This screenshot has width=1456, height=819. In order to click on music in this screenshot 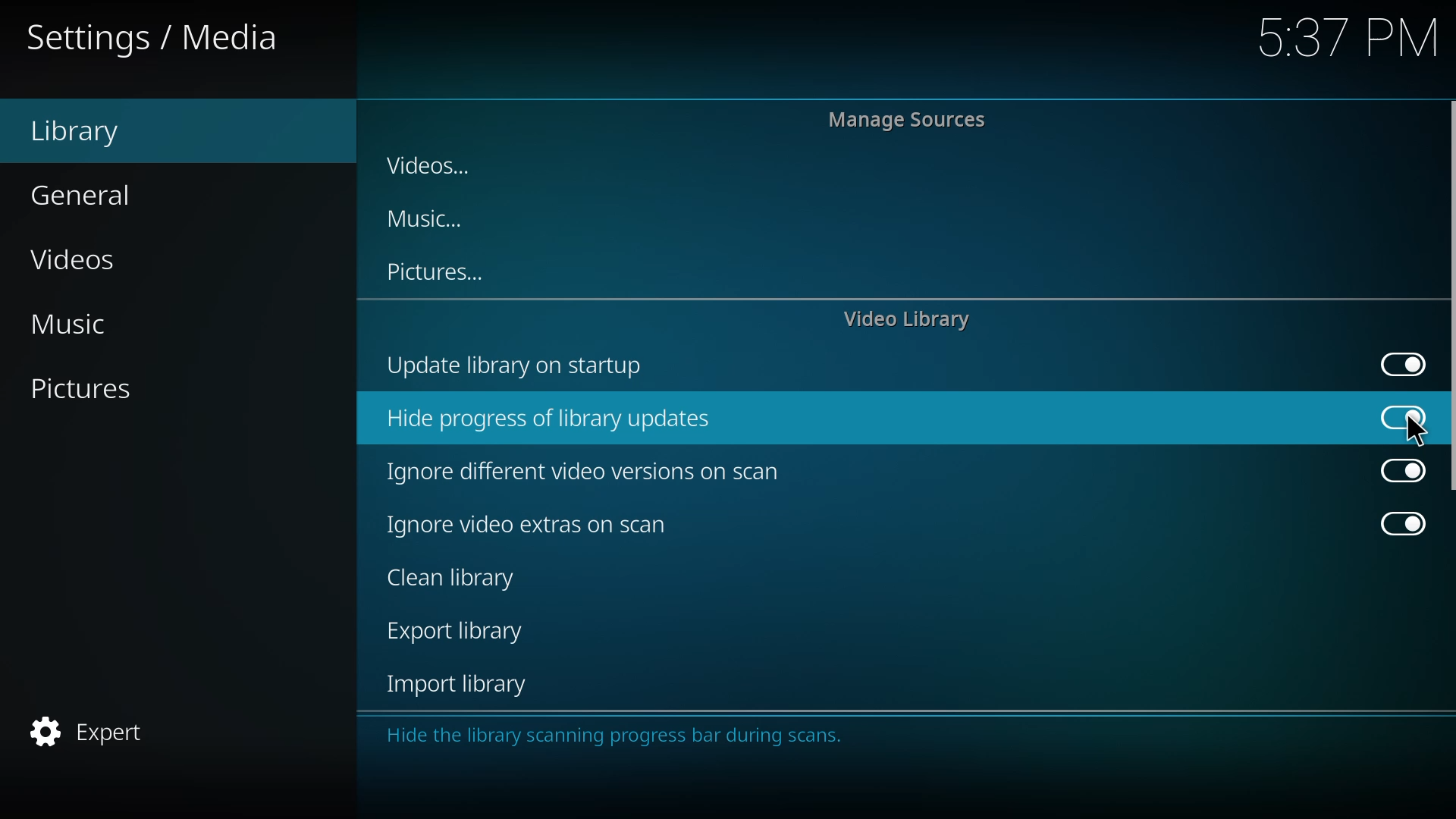, I will do `click(439, 219)`.